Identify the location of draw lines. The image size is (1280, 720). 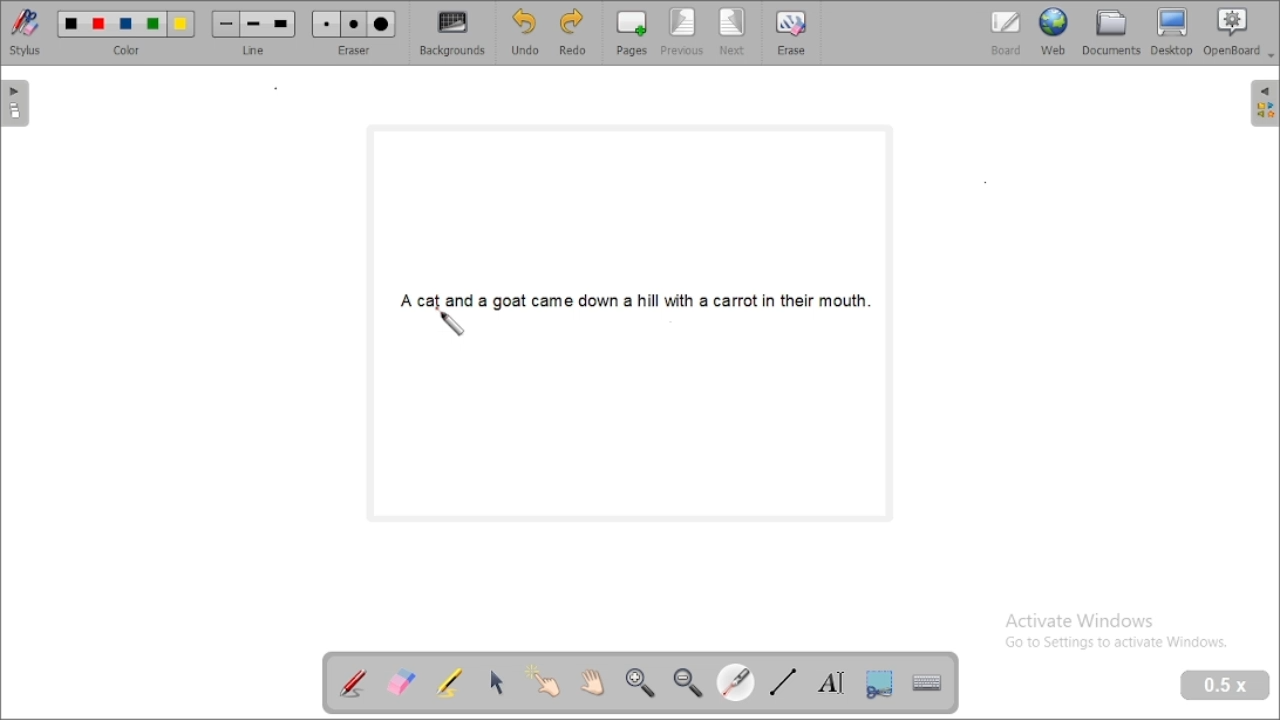
(784, 681).